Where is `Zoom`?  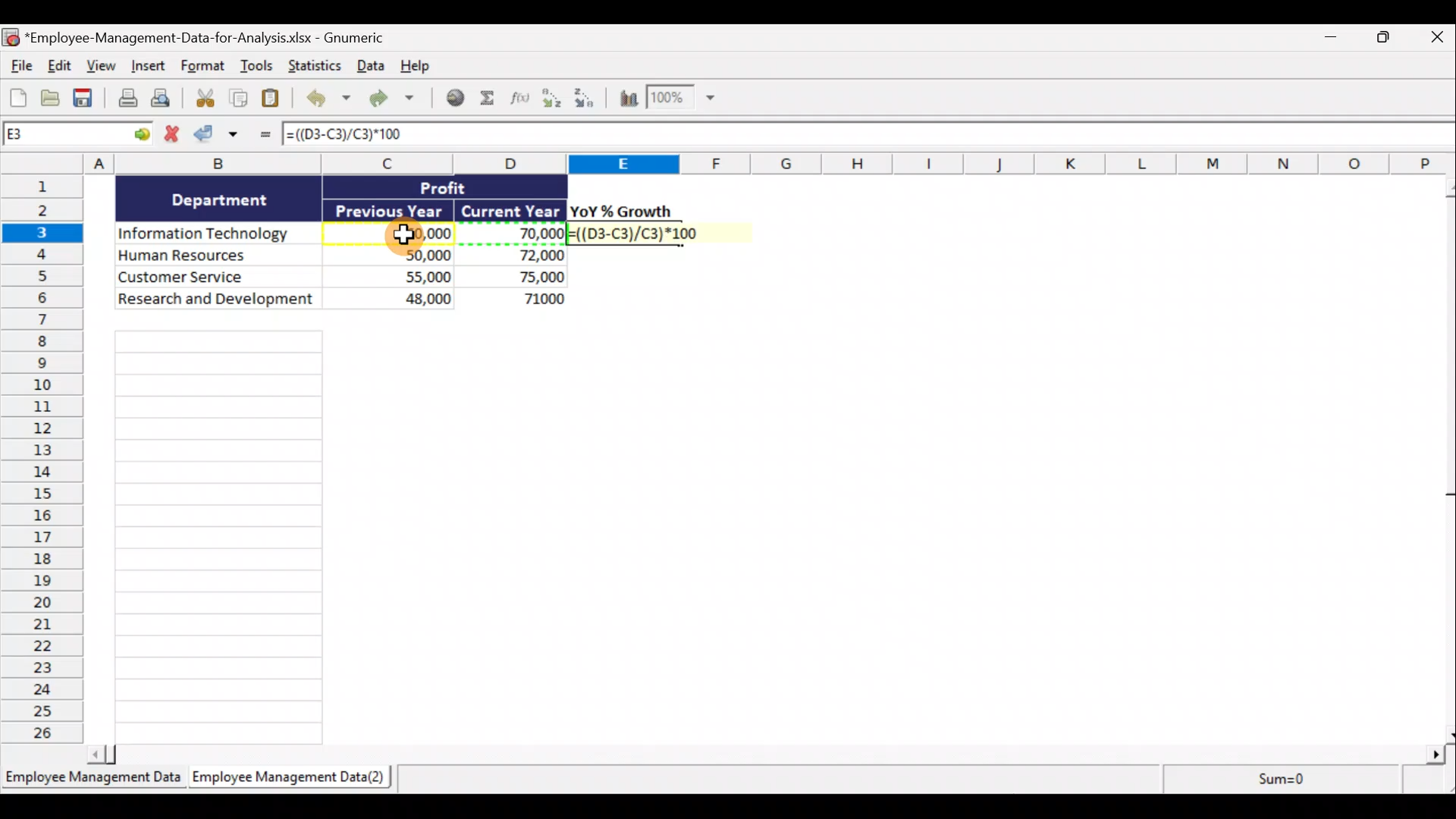 Zoom is located at coordinates (680, 99).